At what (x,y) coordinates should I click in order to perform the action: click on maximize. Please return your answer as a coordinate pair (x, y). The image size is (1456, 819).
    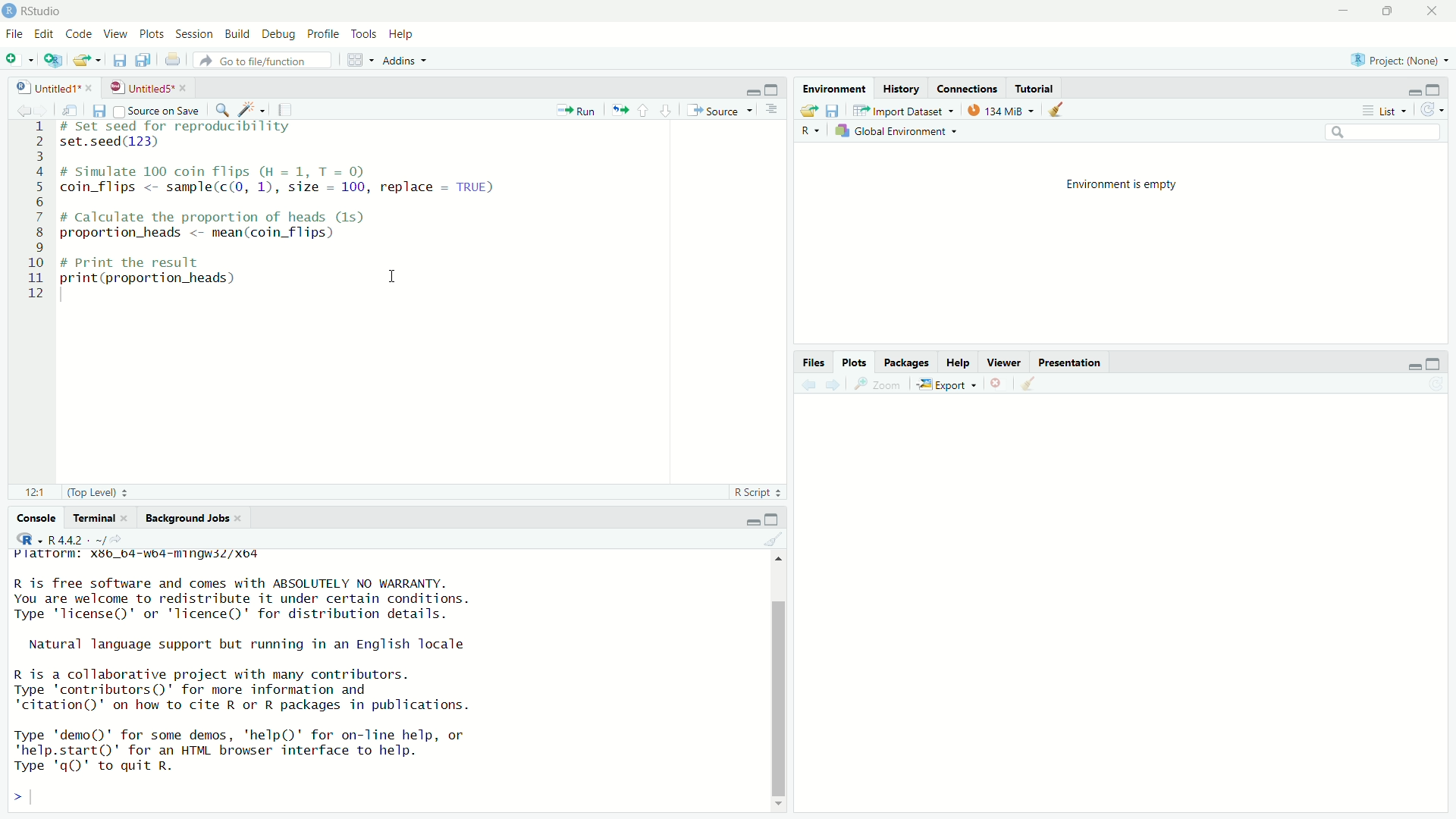
    Looking at the image, I should click on (1441, 86).